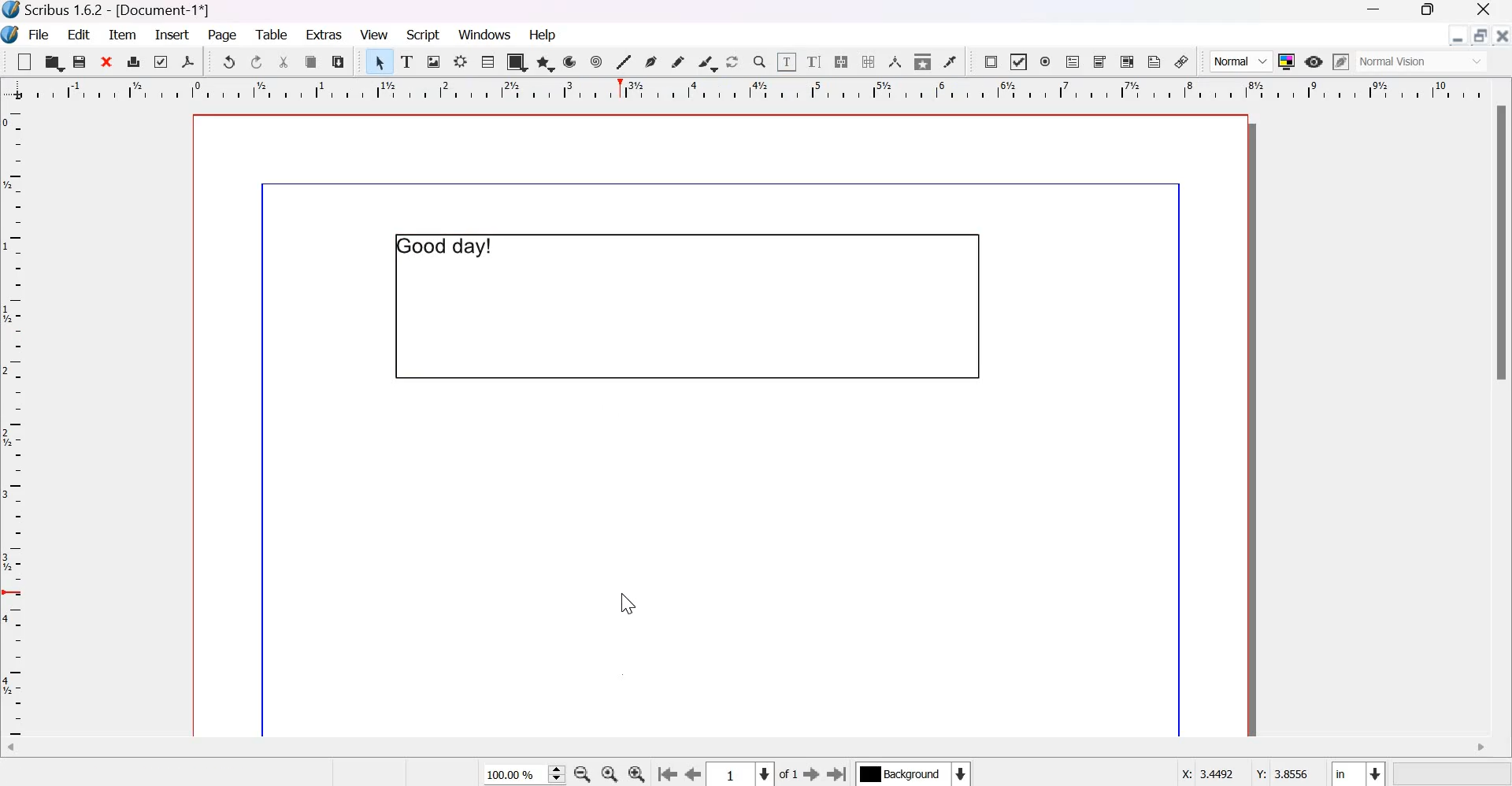 Image resolution: width=1512 pixels, height=786 pixels. What do you see at coordinates (80, 34) in the screenshot?
I see `Edit` at bounding box center [80, 34].